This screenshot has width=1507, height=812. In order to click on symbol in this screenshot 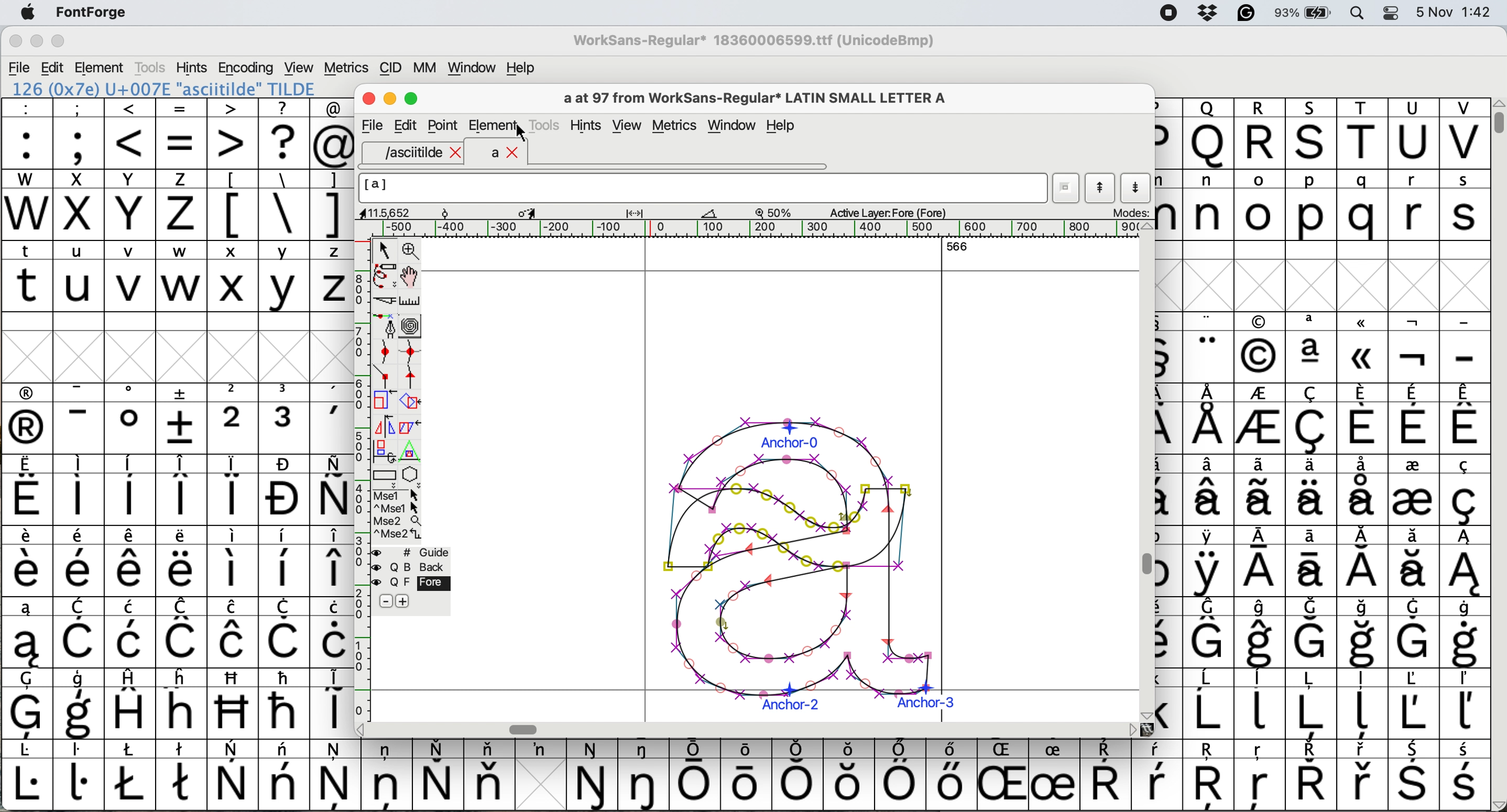, I will do `click(646, 775)`.